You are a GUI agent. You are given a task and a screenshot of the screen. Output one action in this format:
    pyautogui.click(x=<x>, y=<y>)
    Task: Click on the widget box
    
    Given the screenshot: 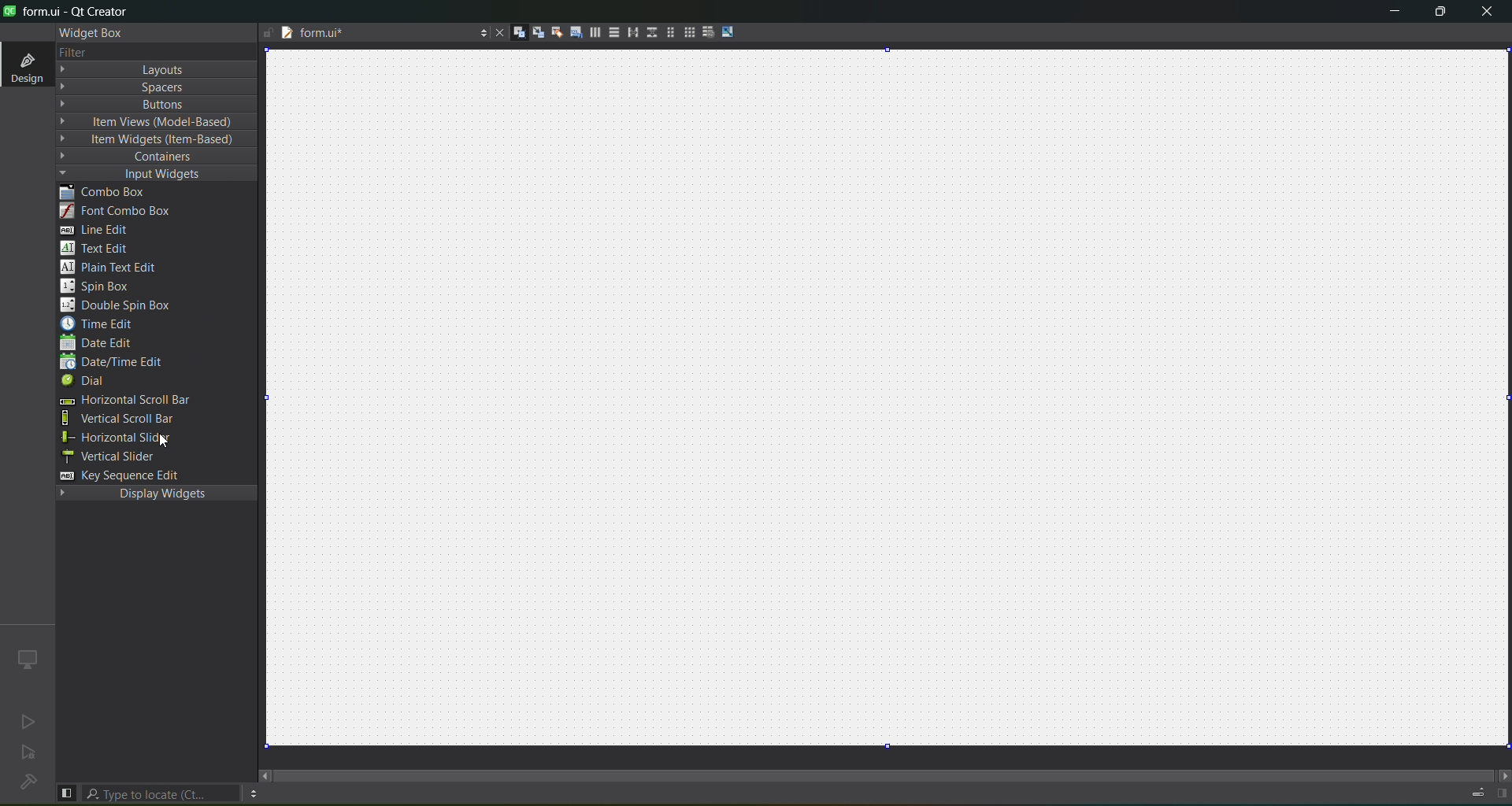 What is the action you would take?
    pyautogui.click(x=92, y=33)
    